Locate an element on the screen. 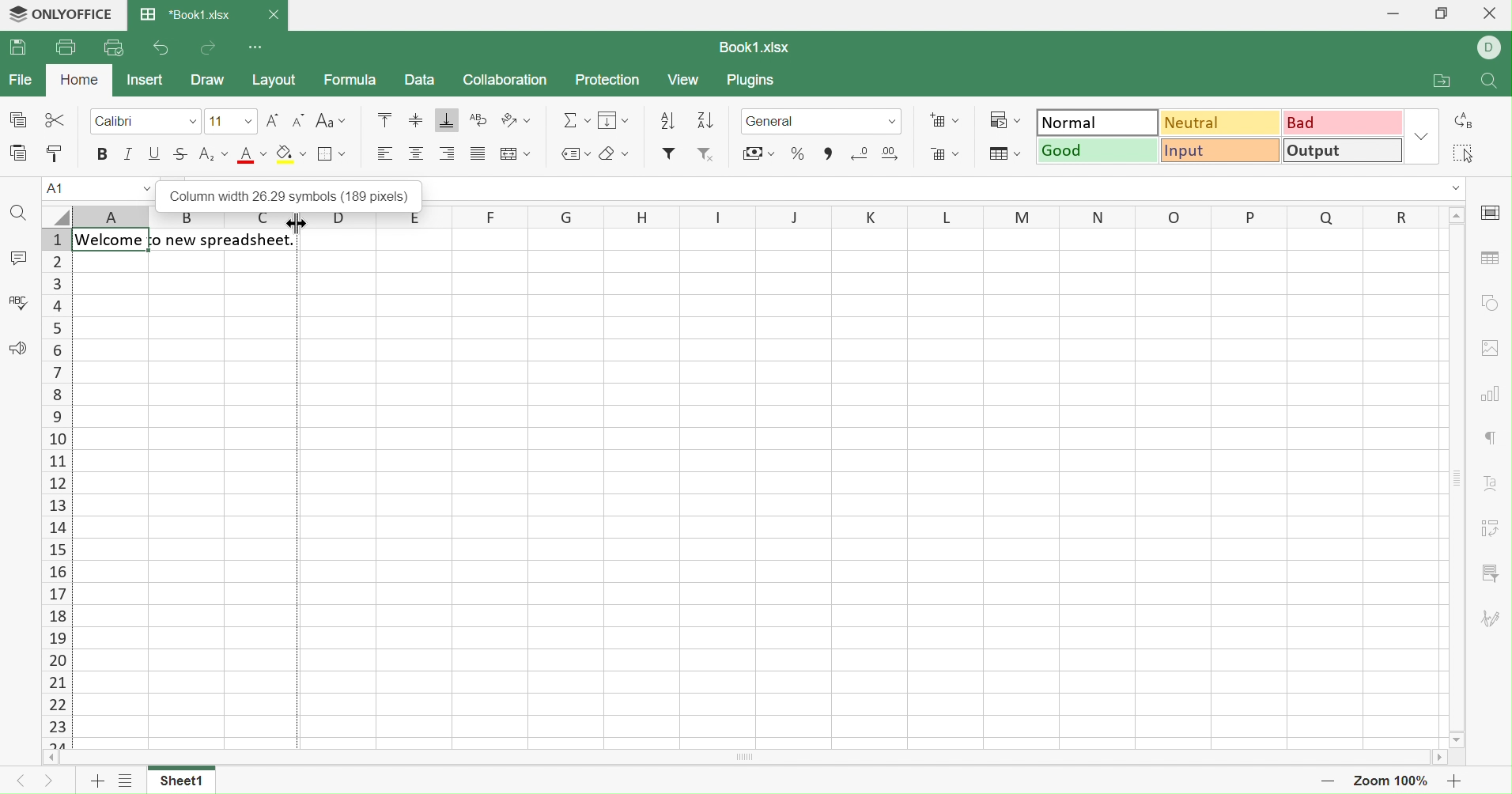 The width and height of the screenshot is (1512, 794). Align Middle is located at coordinates (415, 121).